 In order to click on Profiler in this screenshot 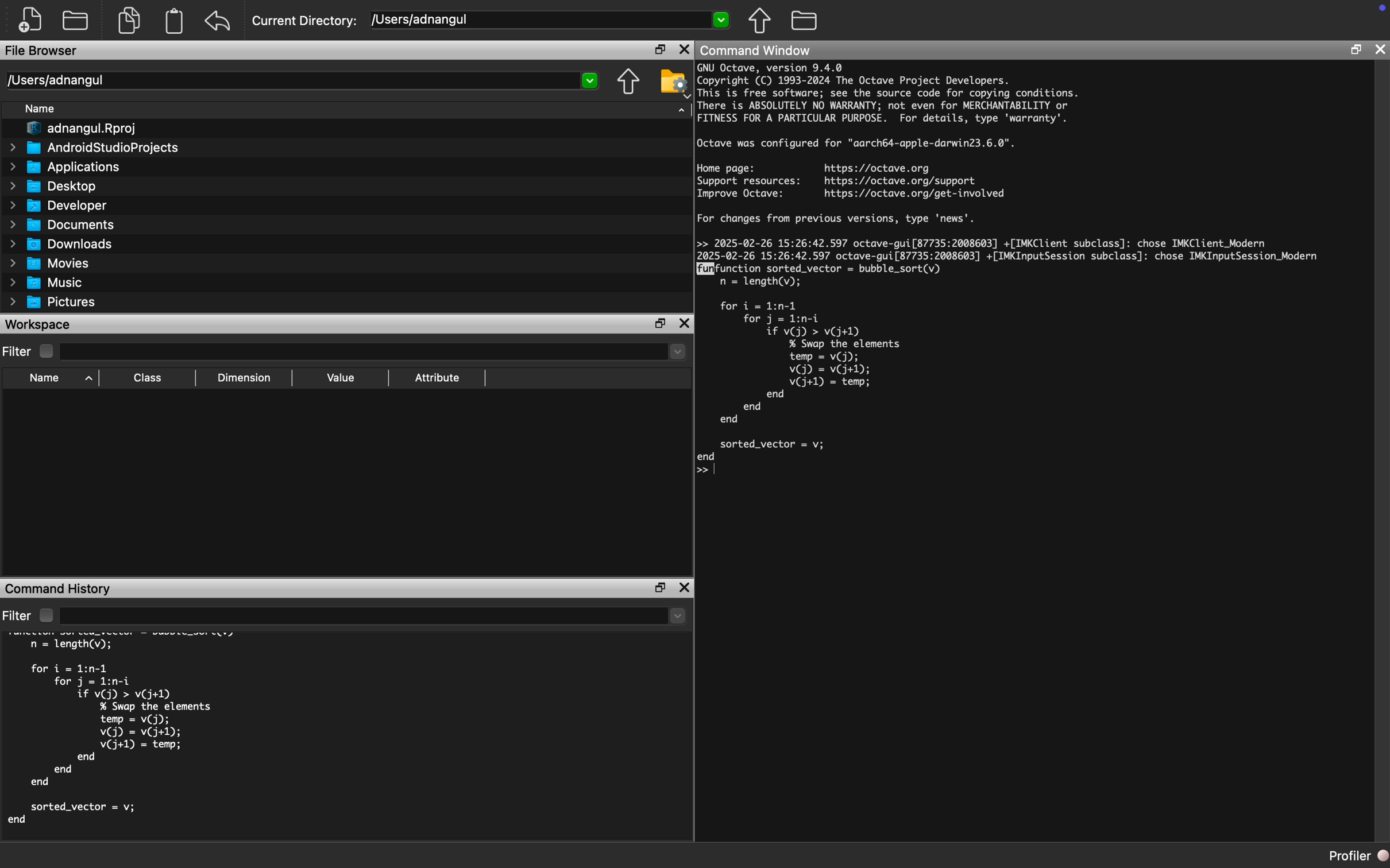, I will do `click(1358, 857)`.